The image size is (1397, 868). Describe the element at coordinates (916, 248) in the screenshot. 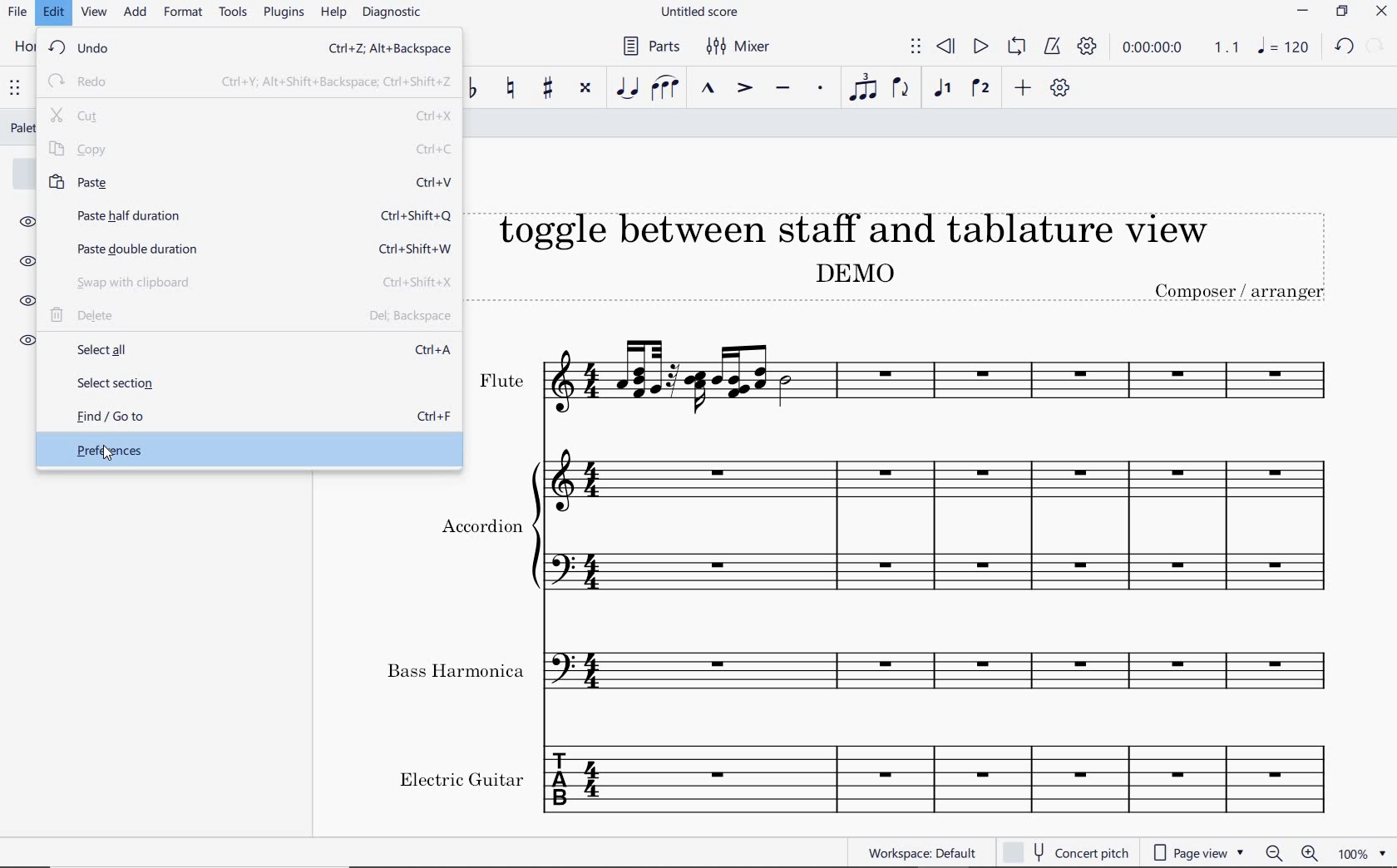

I see `Title` at that location.